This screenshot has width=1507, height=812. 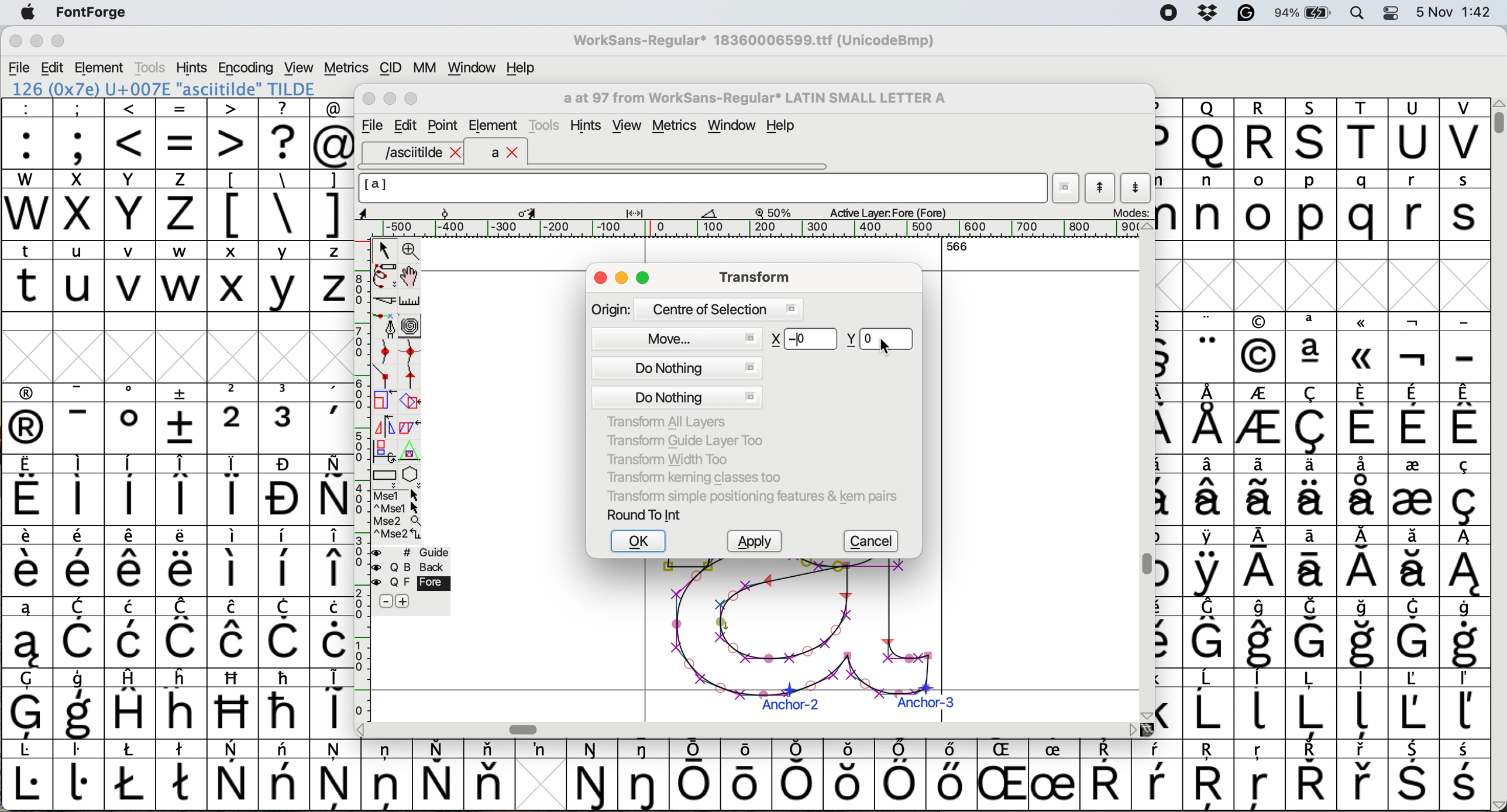 I want to click on t, so click(x=27, y=275).